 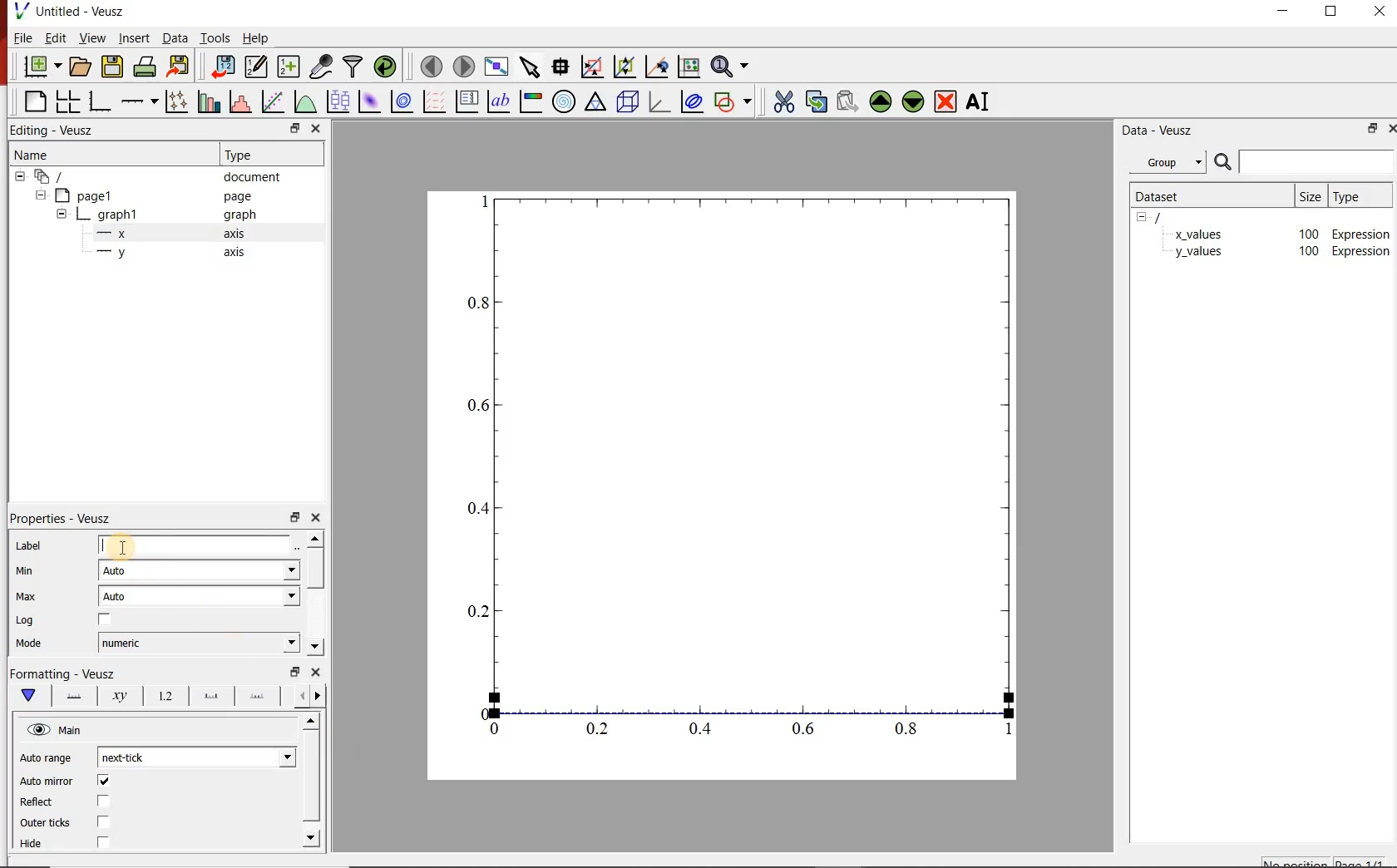 What do you see at coordinates (145, 67) in the screenshot?
I see `print the documents` at bounding box center [145, 67].